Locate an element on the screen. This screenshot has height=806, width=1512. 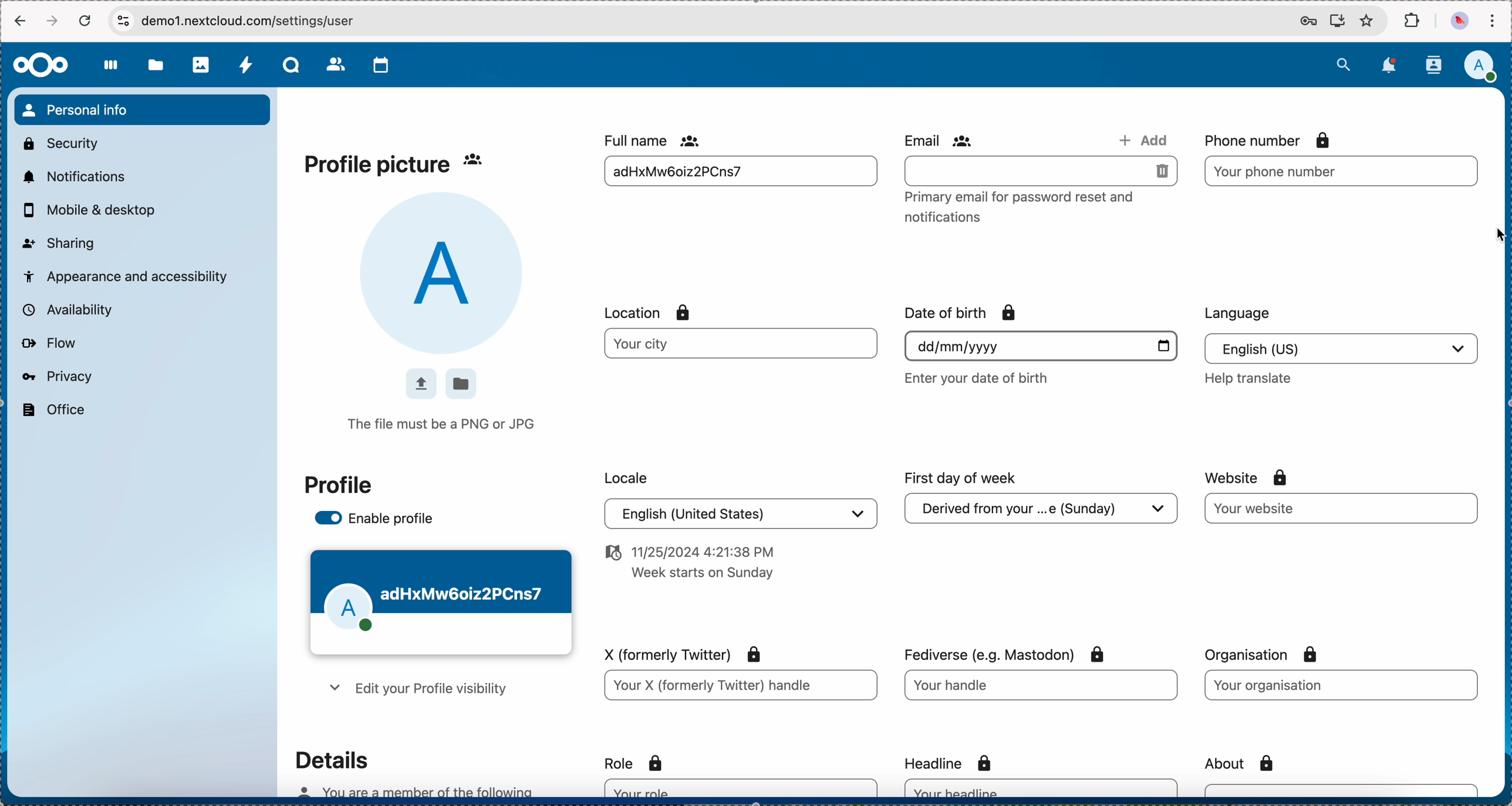
fediverse is located at coordinates (1004, 653).